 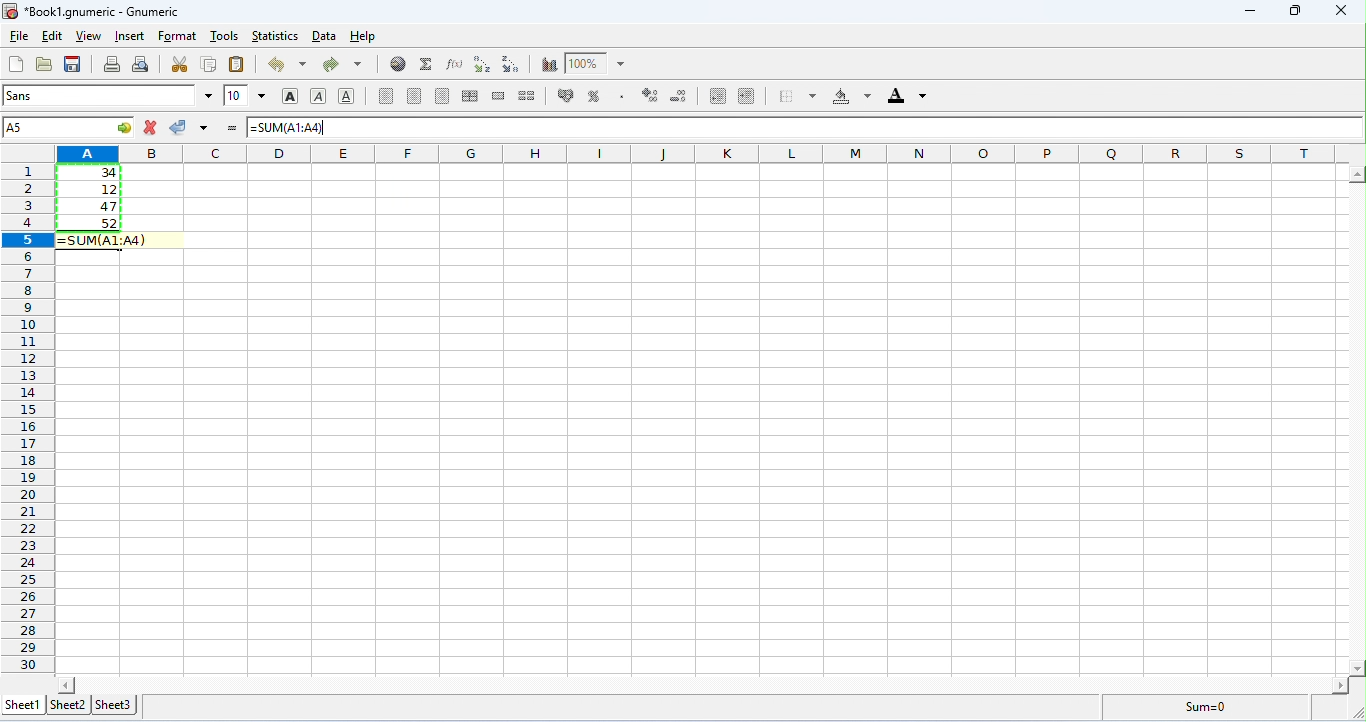 I want to click on italics, so click(x=318, y=96).